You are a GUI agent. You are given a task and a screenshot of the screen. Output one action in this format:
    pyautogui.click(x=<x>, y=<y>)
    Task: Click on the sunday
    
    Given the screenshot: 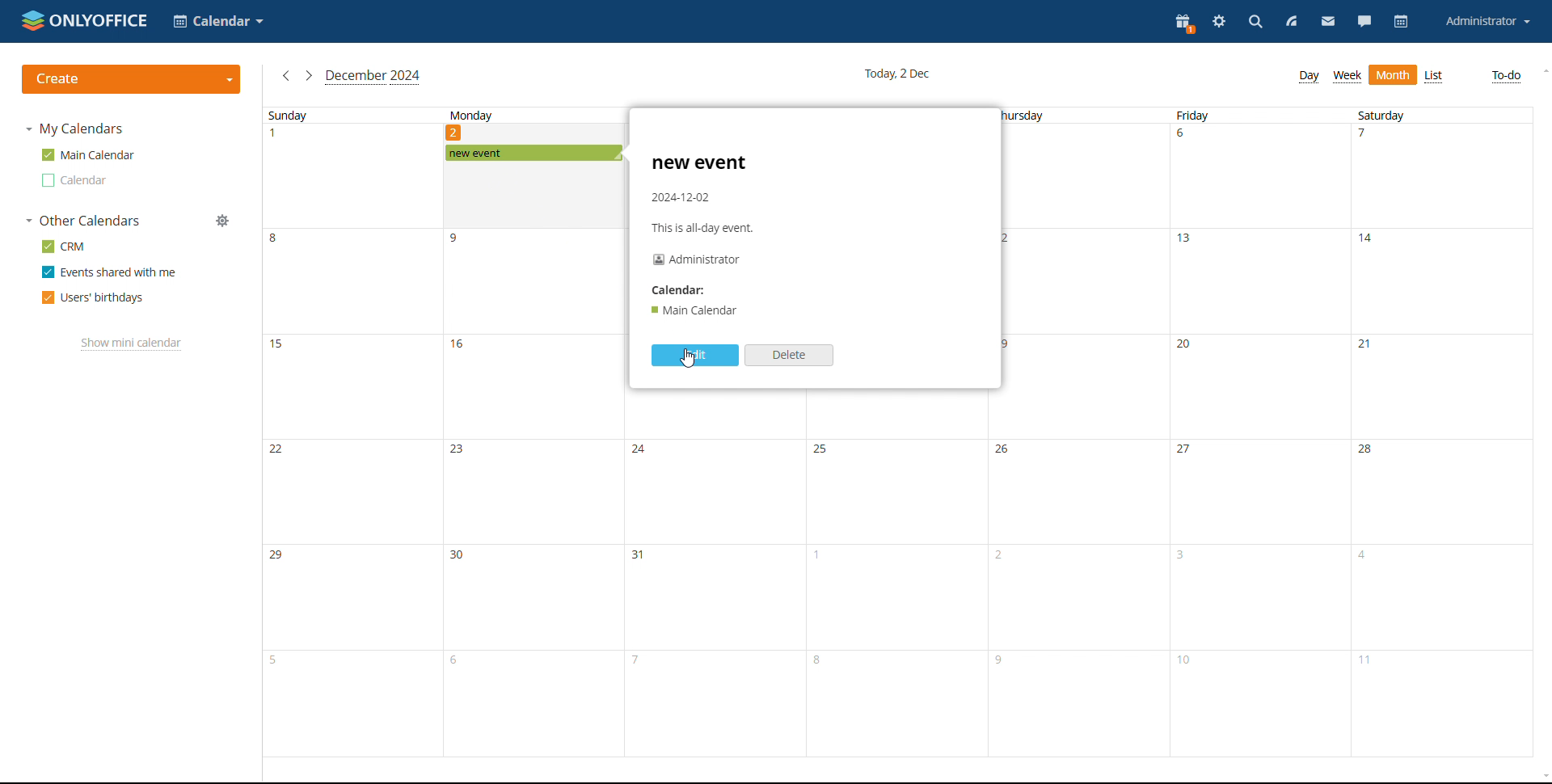 What is the action you would take?
    pyautogui.click(x=353, y=431)
    